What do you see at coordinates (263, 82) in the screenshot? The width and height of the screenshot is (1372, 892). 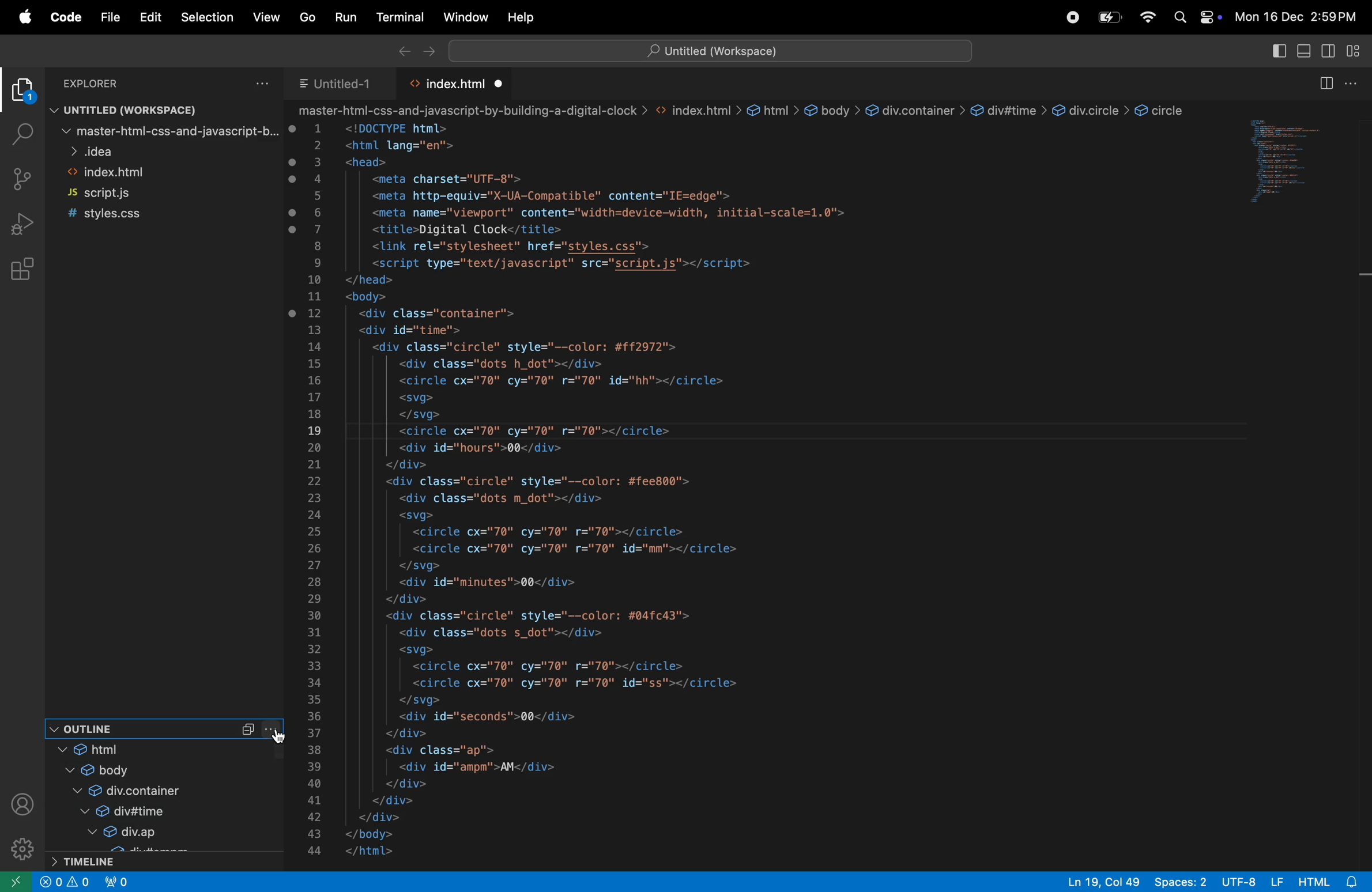 I see `options` at bounding box center [263, 82].